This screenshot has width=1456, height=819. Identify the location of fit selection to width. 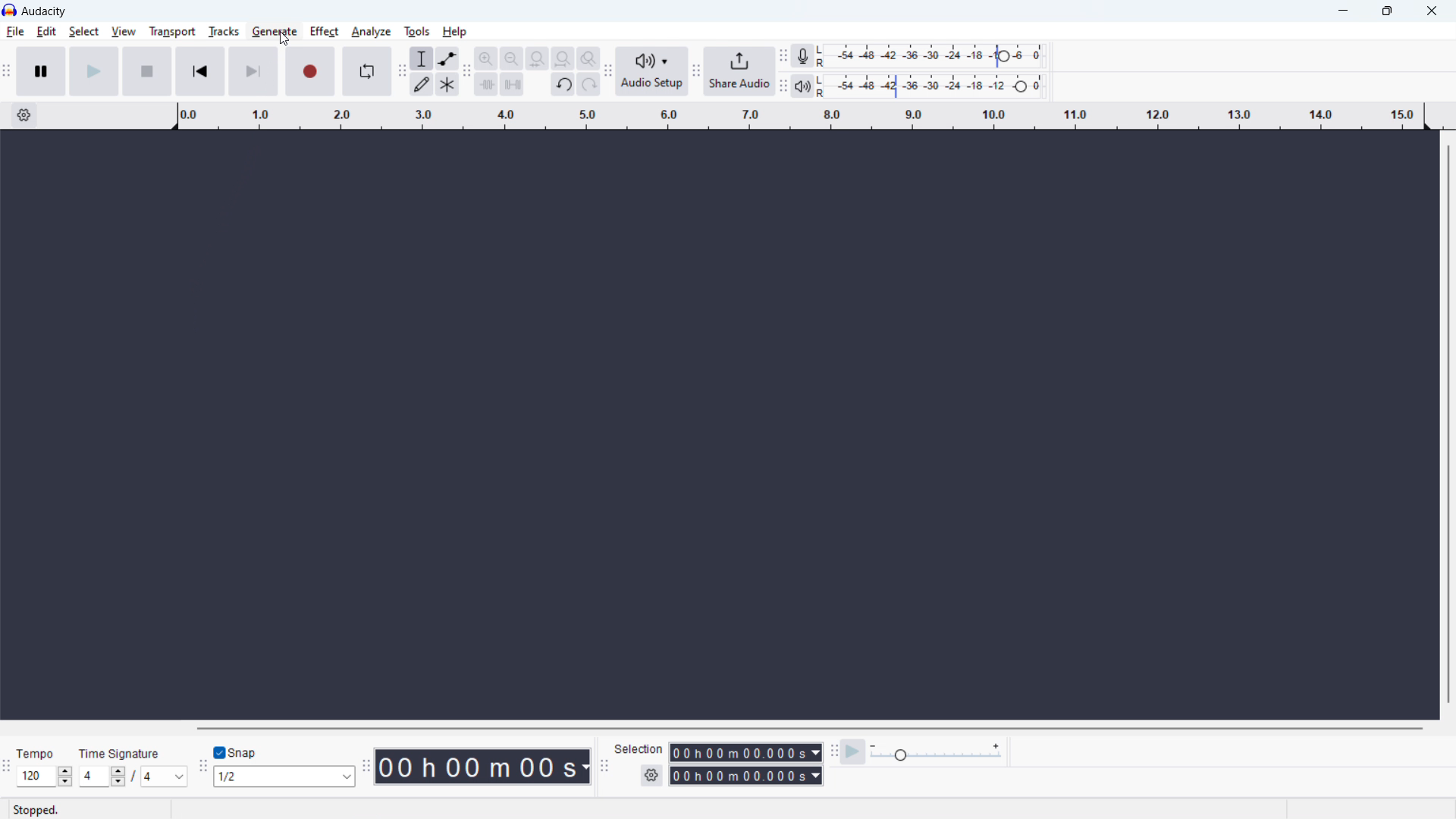
(538, 58).